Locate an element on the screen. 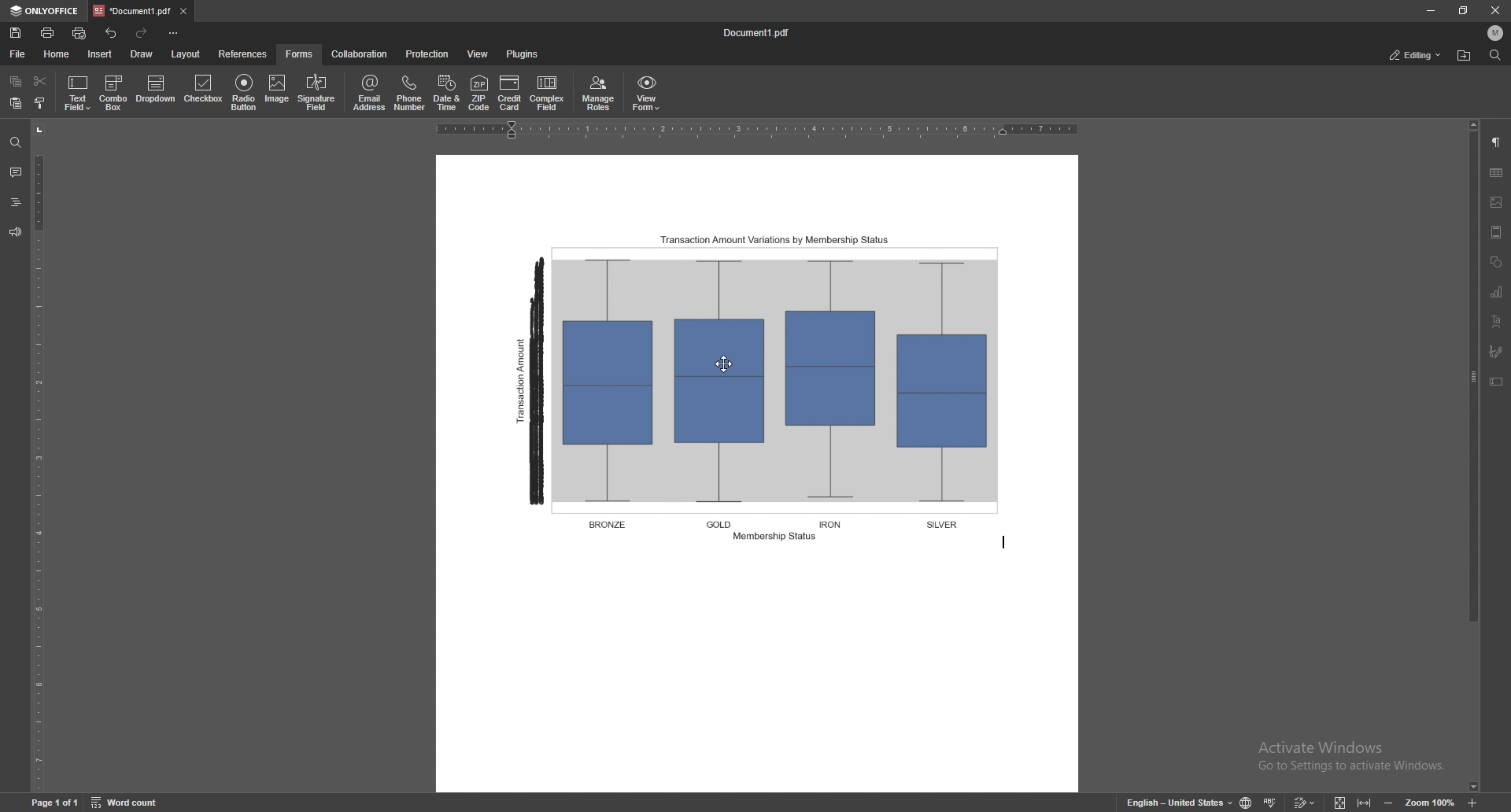  drag cursor is located at coordinates (728, 367).